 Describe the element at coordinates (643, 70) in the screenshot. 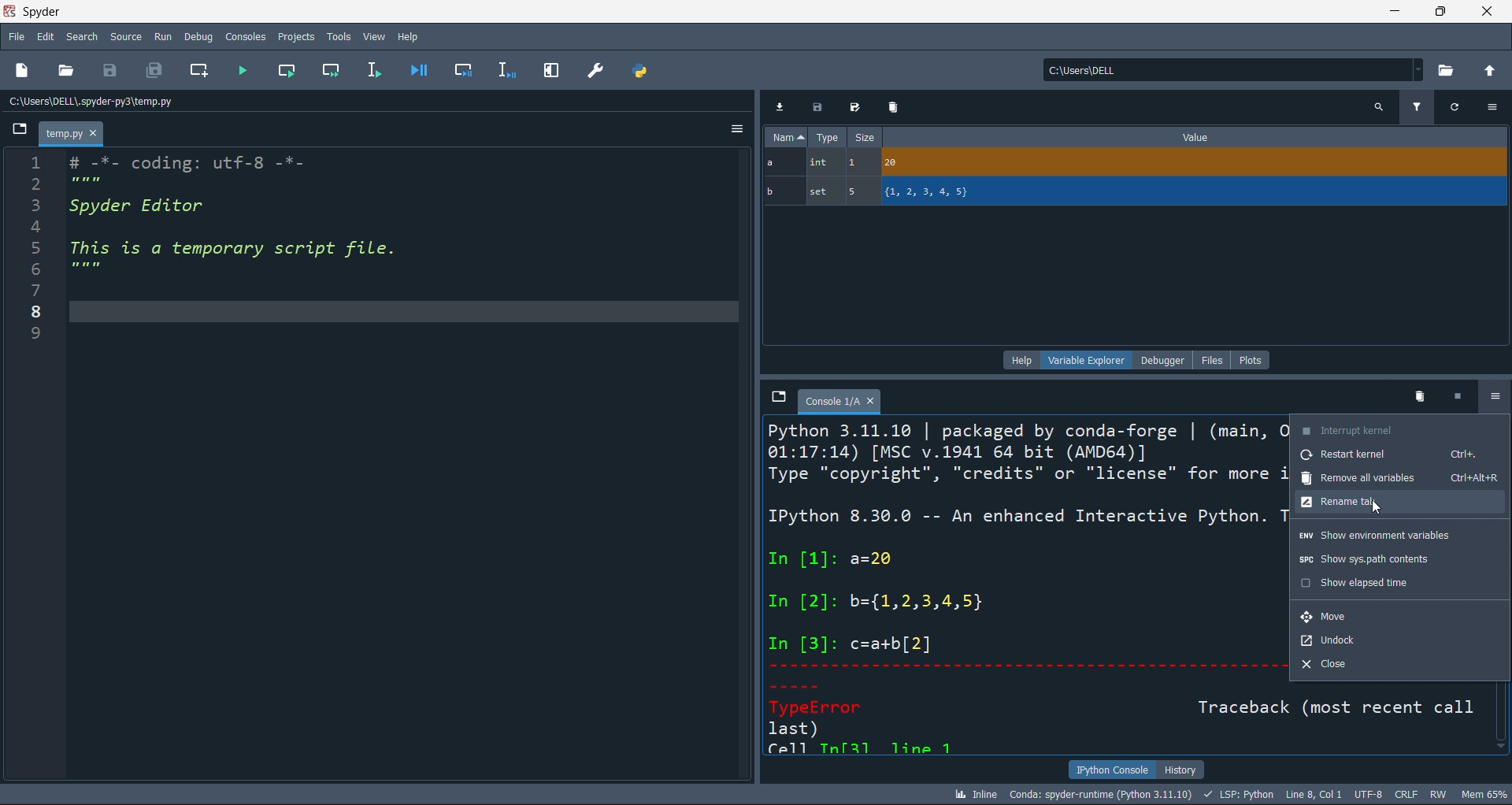

I see `python path manager` at that location.